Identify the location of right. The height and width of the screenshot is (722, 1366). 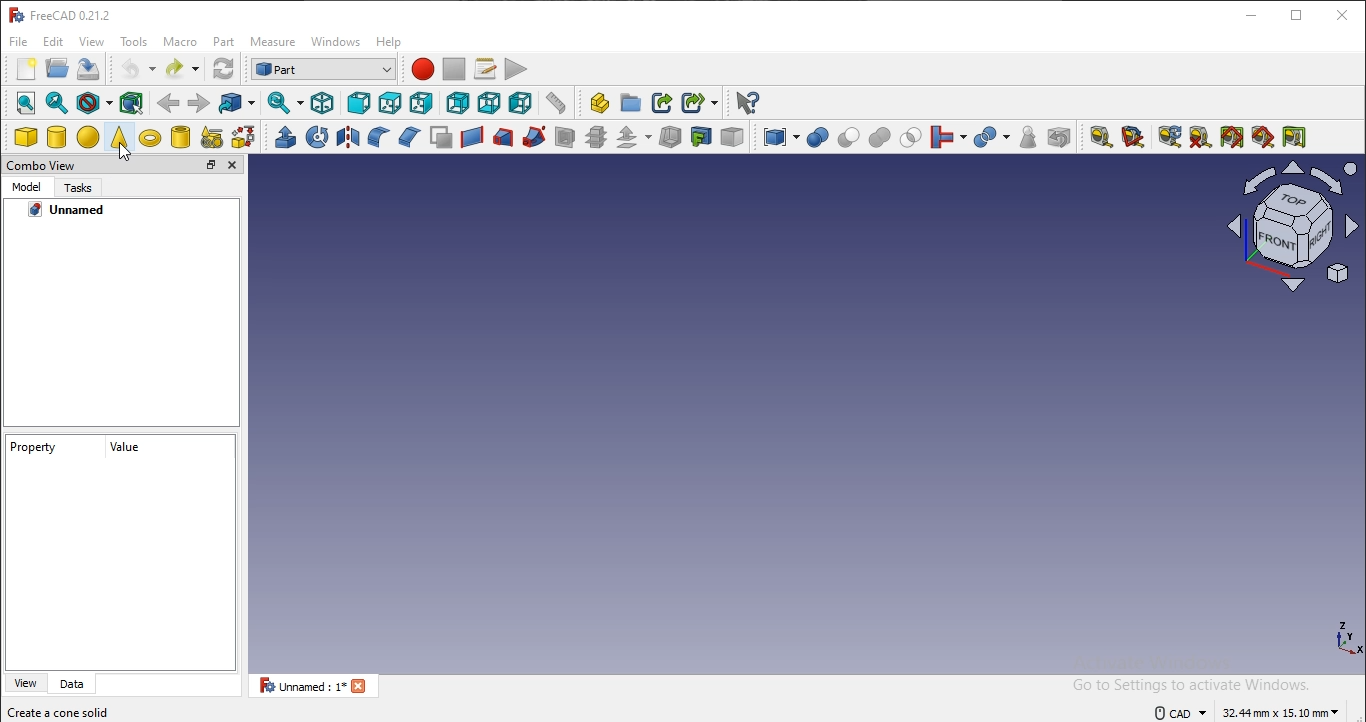
(421, 102).